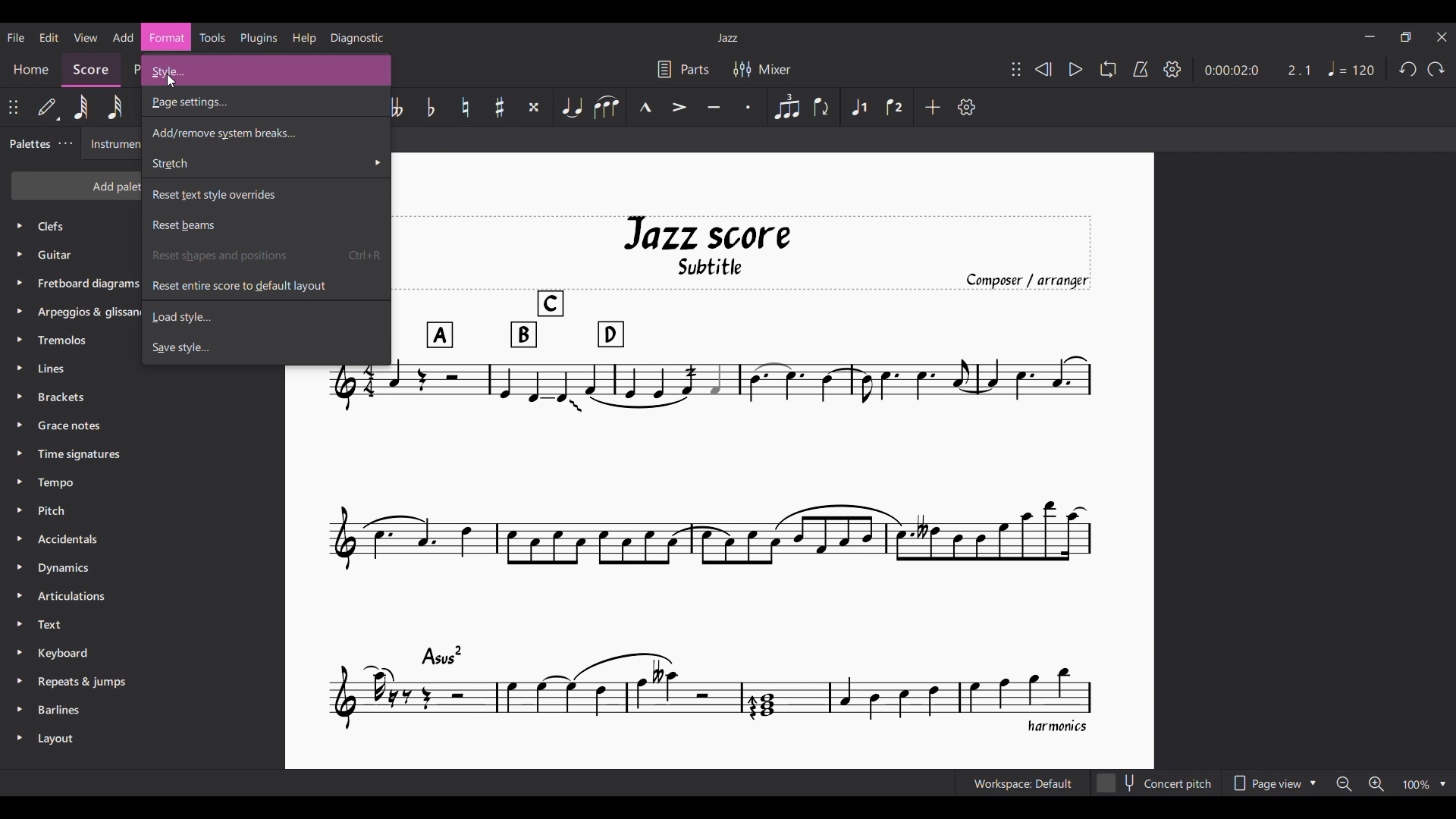 This screenshot has height=819, width=1456. What do you see at coordinates (727, 37) in the screenshot?
I see `Current score title` at bounding box center [727, 37].